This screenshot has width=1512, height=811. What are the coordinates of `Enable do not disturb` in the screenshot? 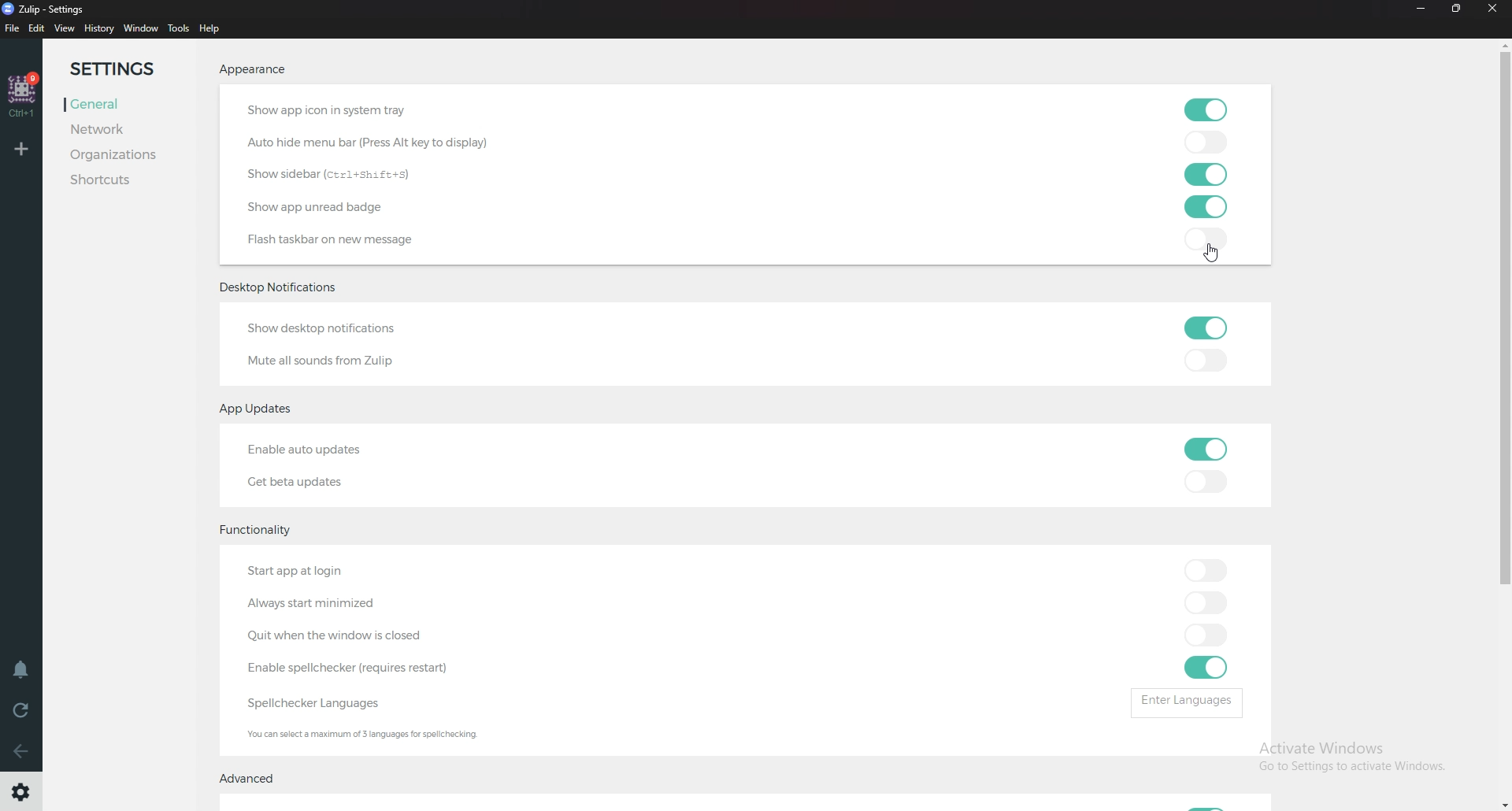 It's located at (20, 668).